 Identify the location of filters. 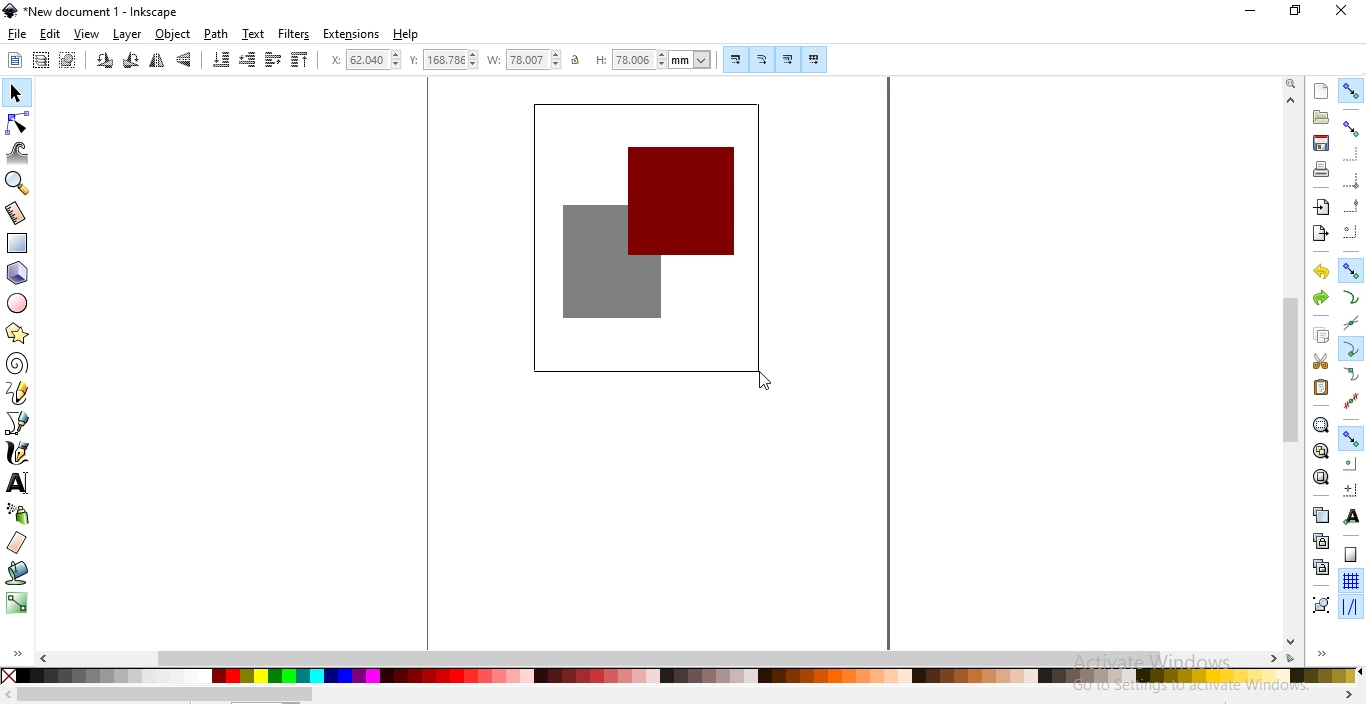
(293, 35).